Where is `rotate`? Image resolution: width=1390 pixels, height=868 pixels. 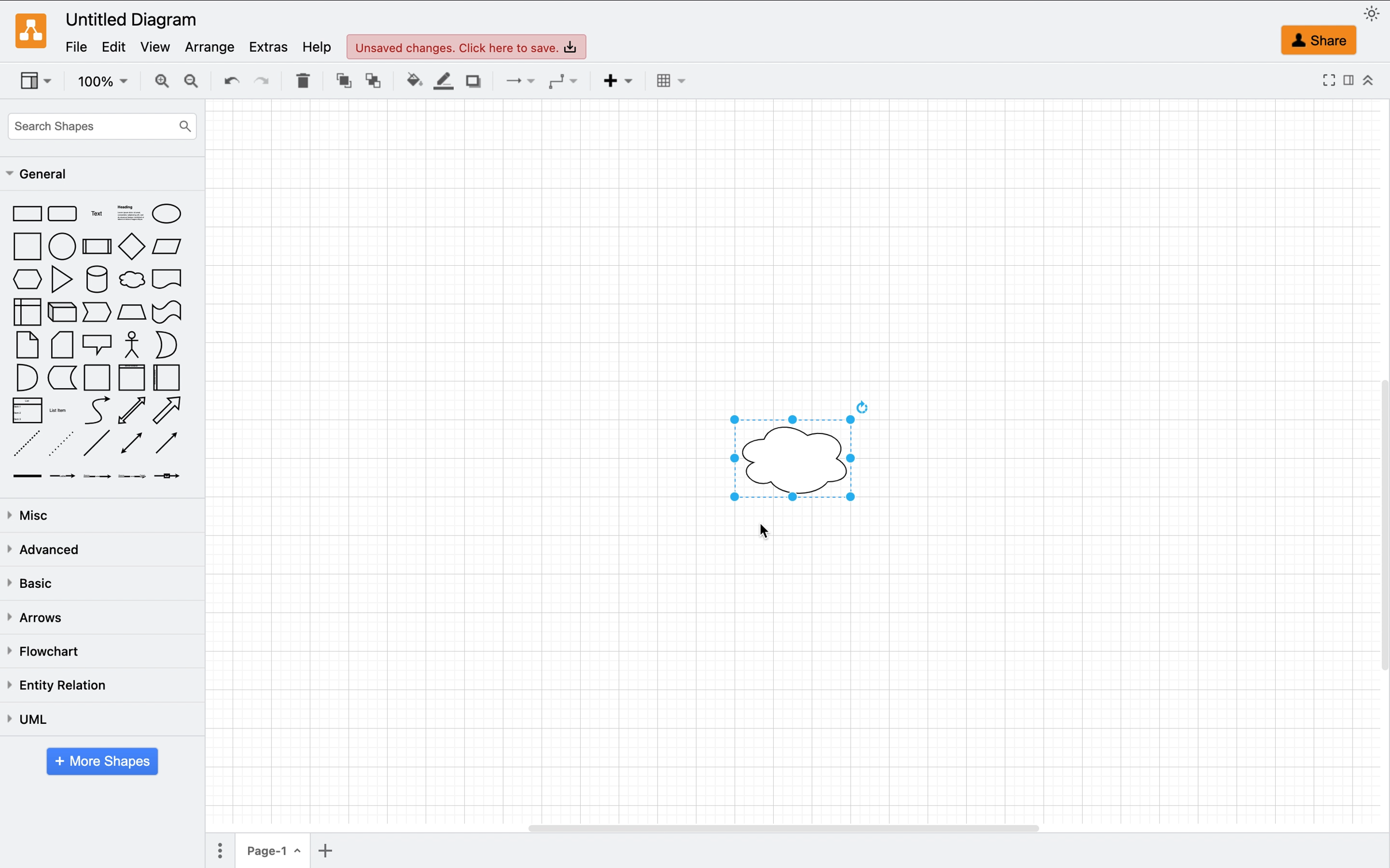 rotate is located at coordinates (859, 407).